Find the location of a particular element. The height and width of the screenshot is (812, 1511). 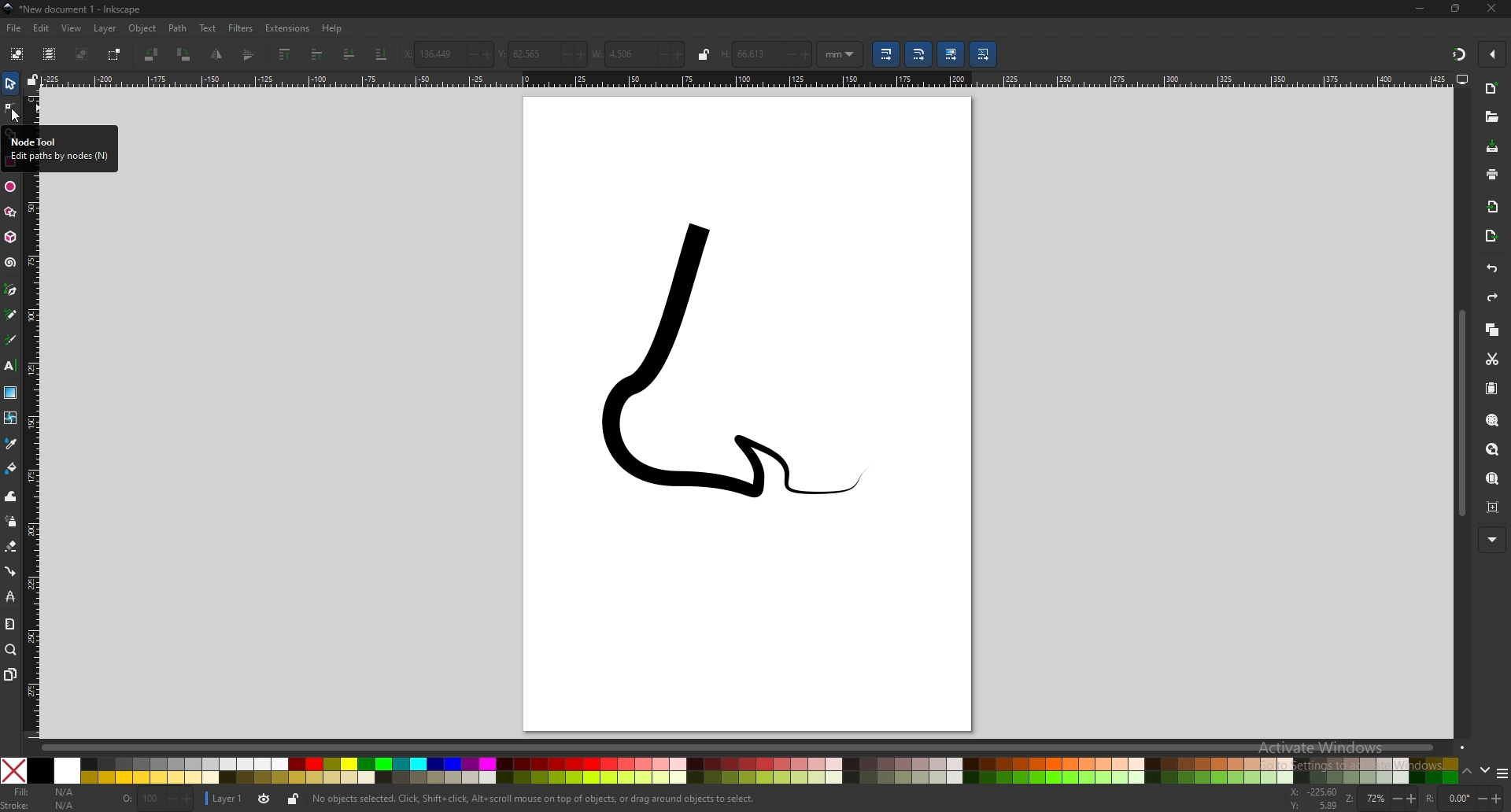

rotation is located at coordinates (1466, 798).